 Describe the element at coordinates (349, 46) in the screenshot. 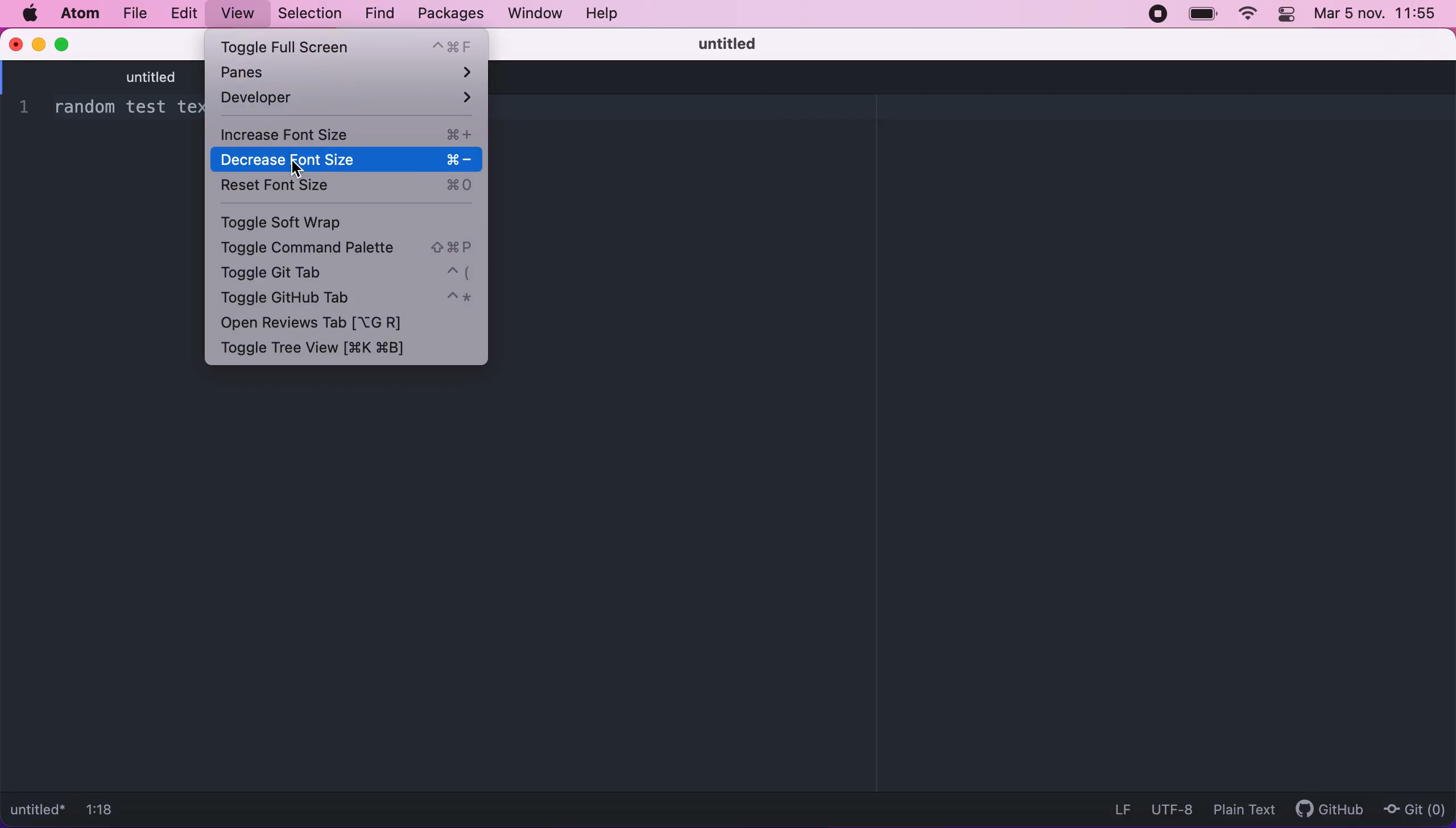

I see `toggle full screen` at that location.